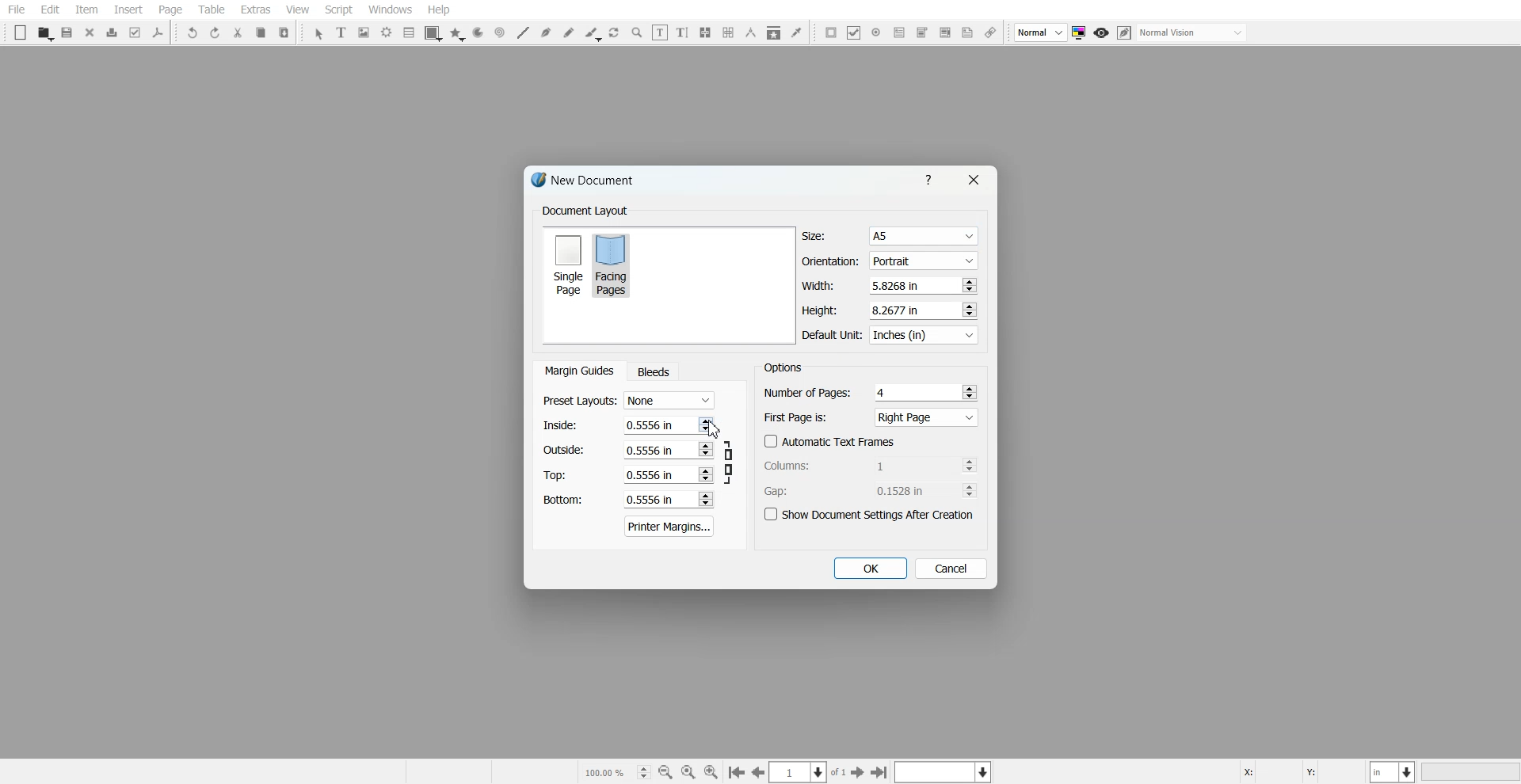  Describe the element at coordinates (883, 392) in the screenshot. I see `4` at that location.